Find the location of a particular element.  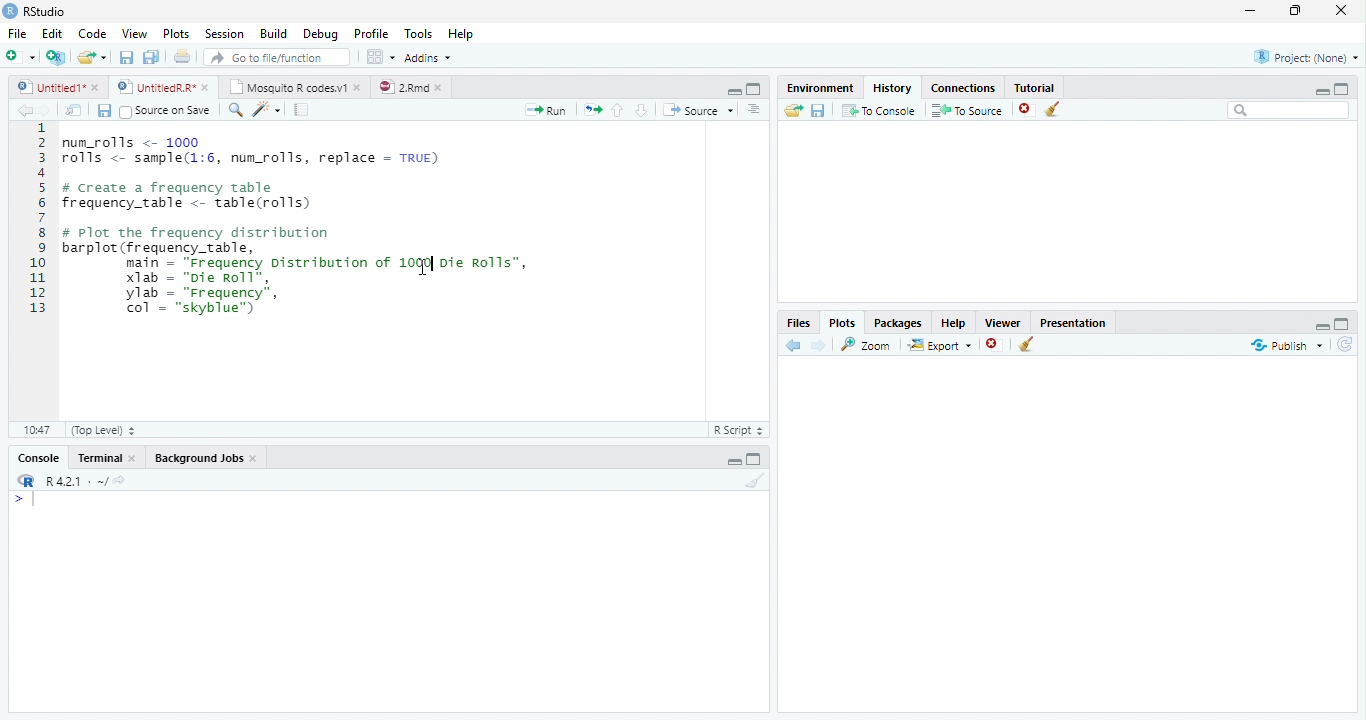

Help is located at coordinates (954, 322).